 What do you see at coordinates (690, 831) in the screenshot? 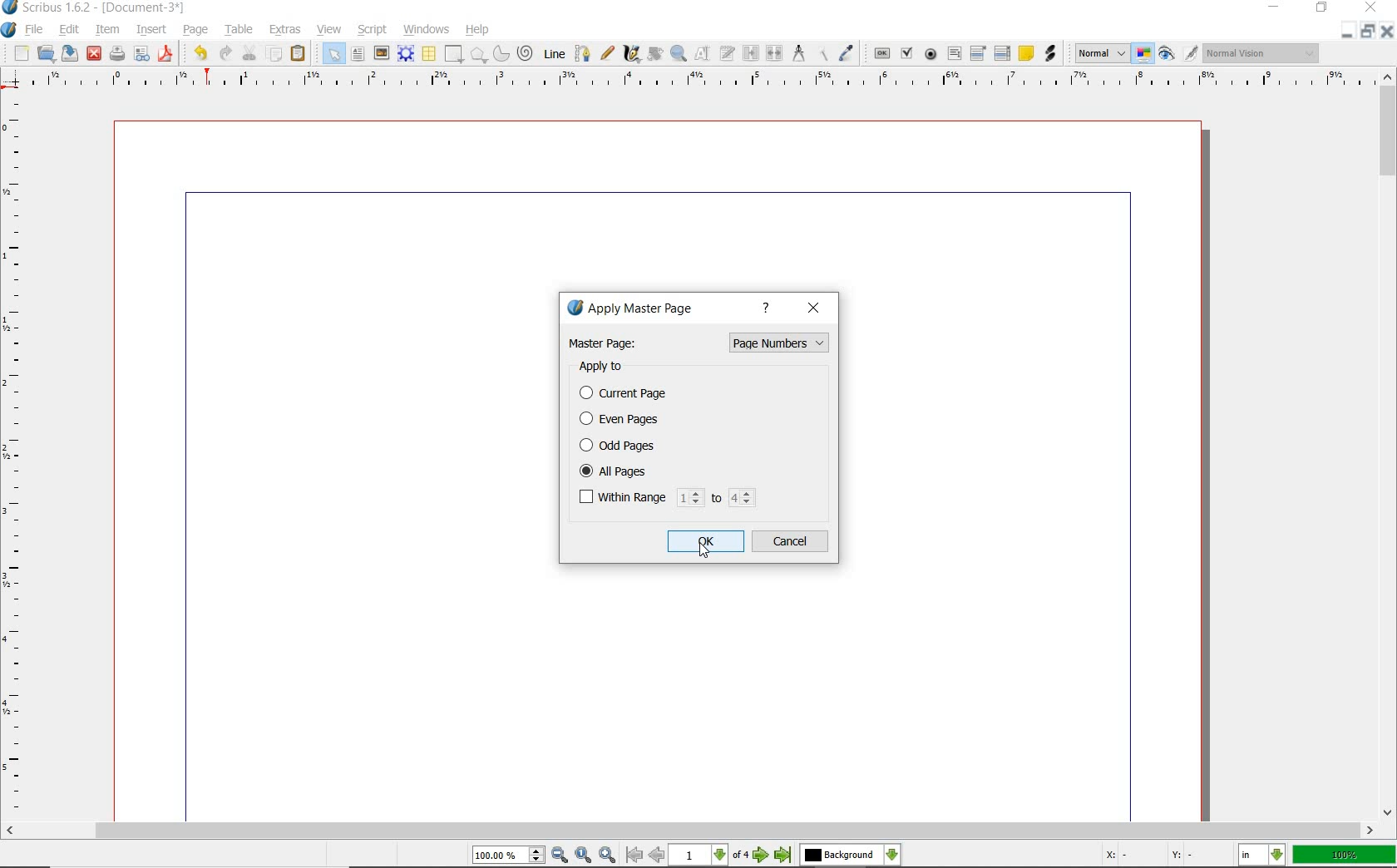
I see `scrollbar` at bounding box center [690, 831].